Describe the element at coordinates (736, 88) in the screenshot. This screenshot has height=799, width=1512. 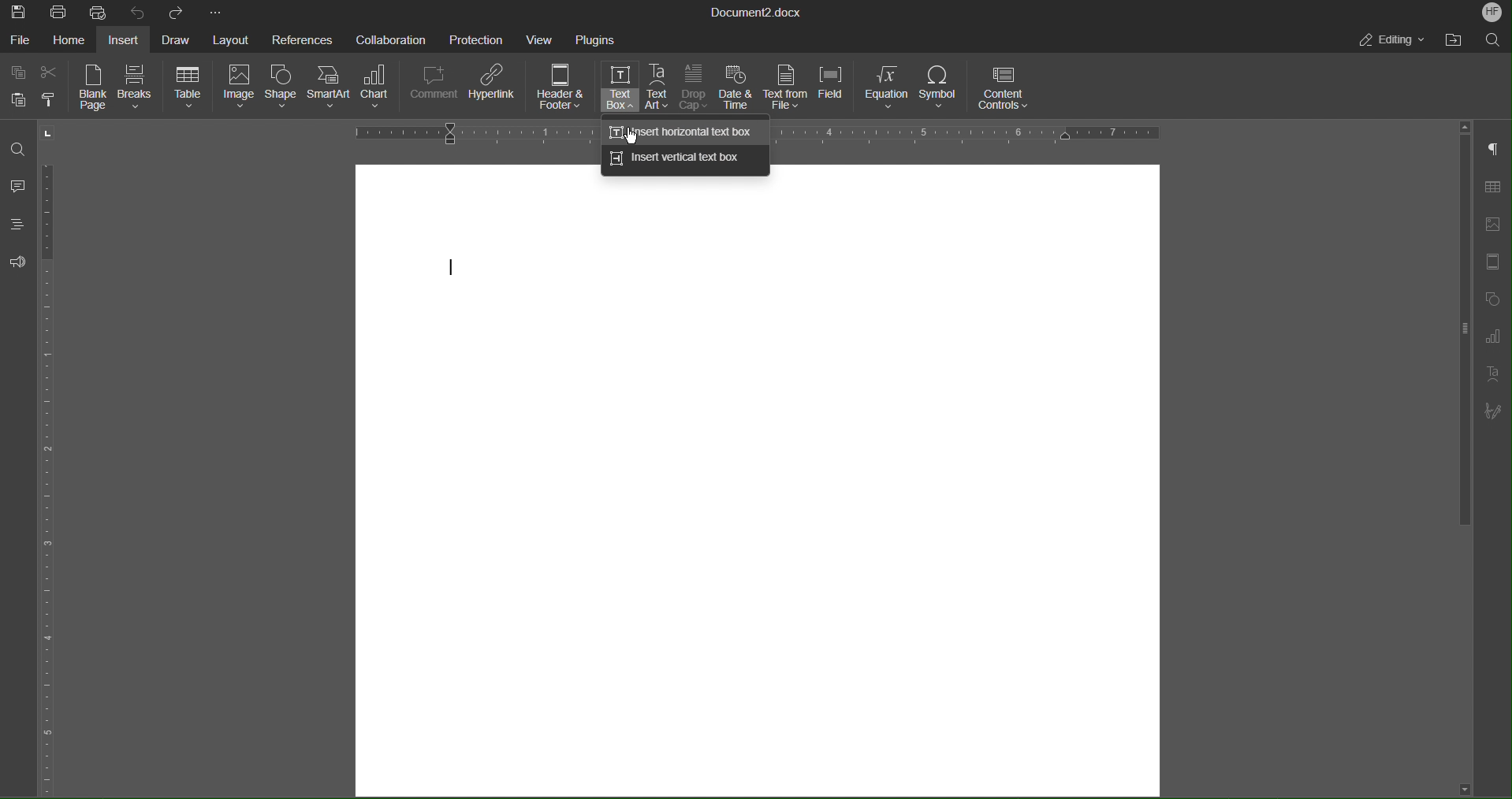
I see `Date & Time` at that location.